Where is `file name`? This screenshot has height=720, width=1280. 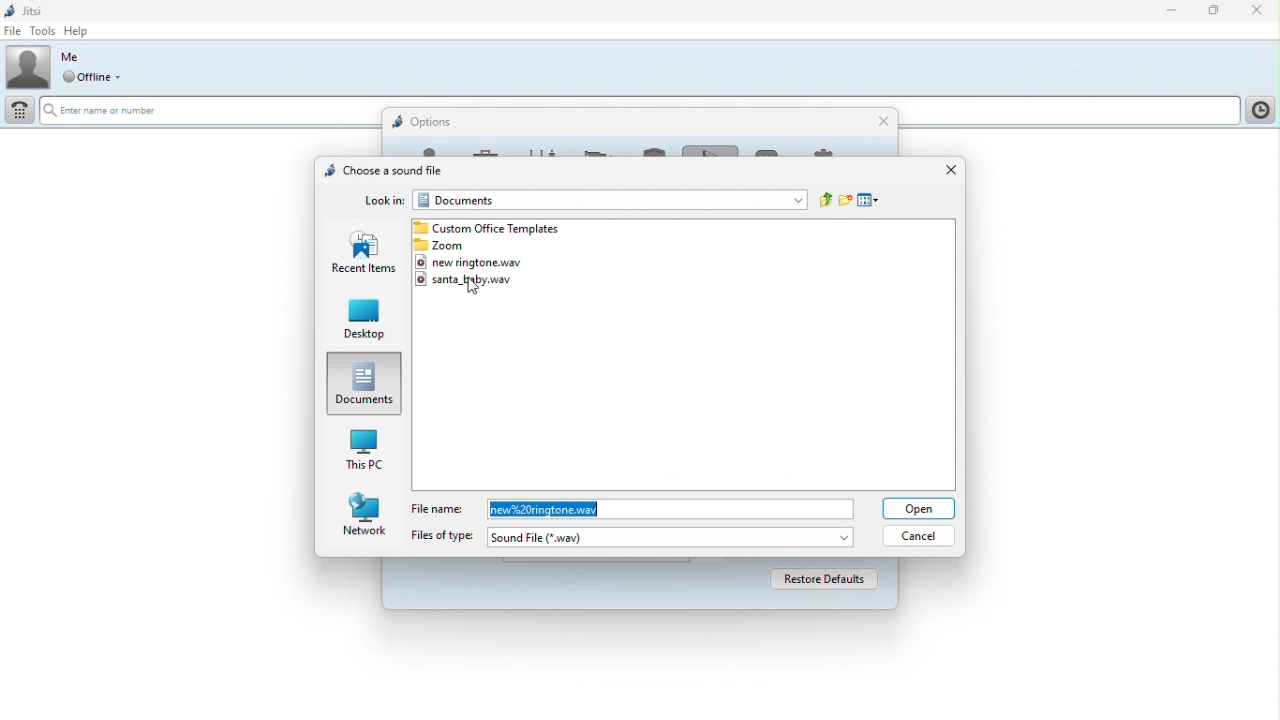
file name is located at coordinates (440, 509).